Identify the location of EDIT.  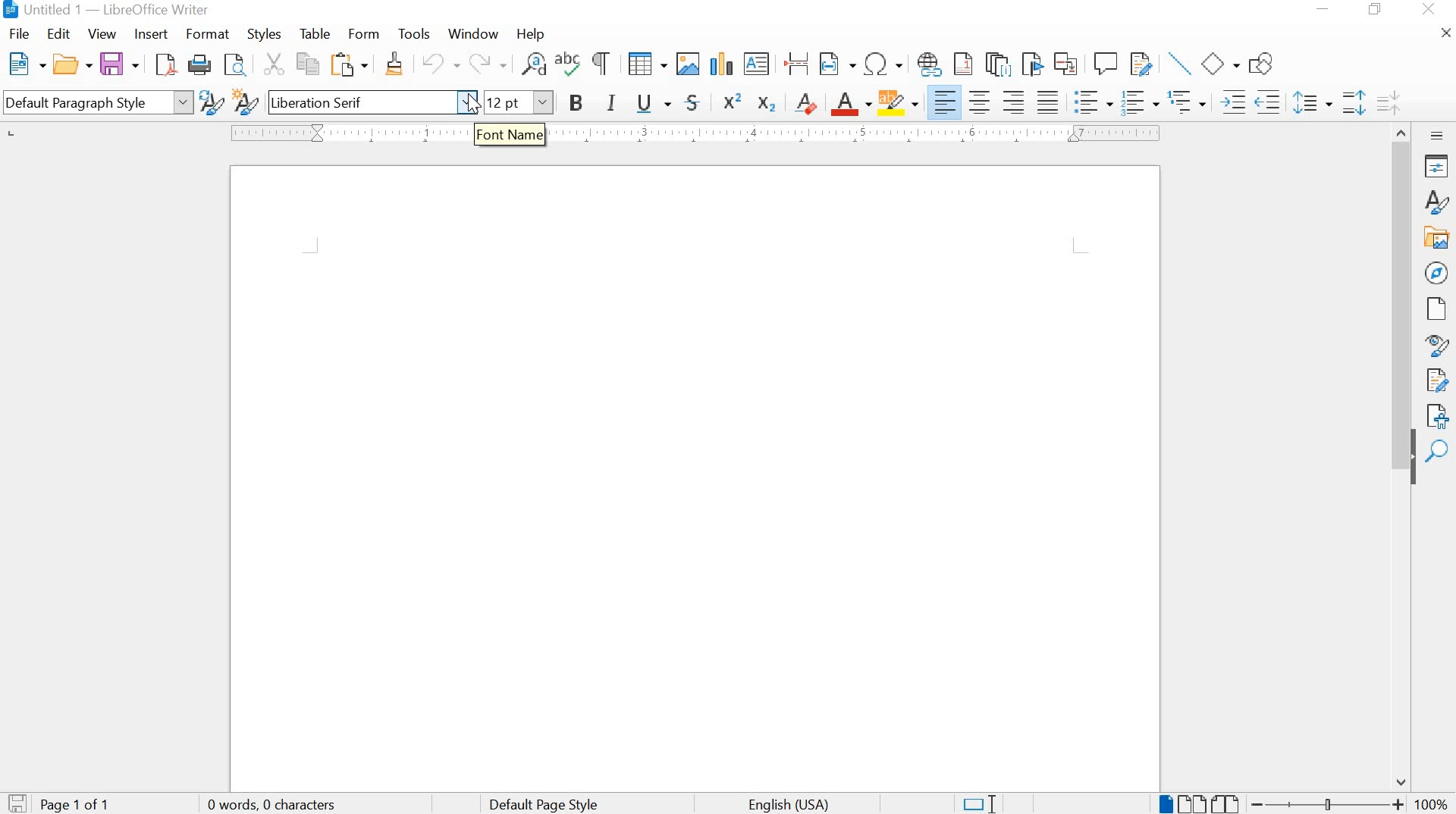
(58, 36).